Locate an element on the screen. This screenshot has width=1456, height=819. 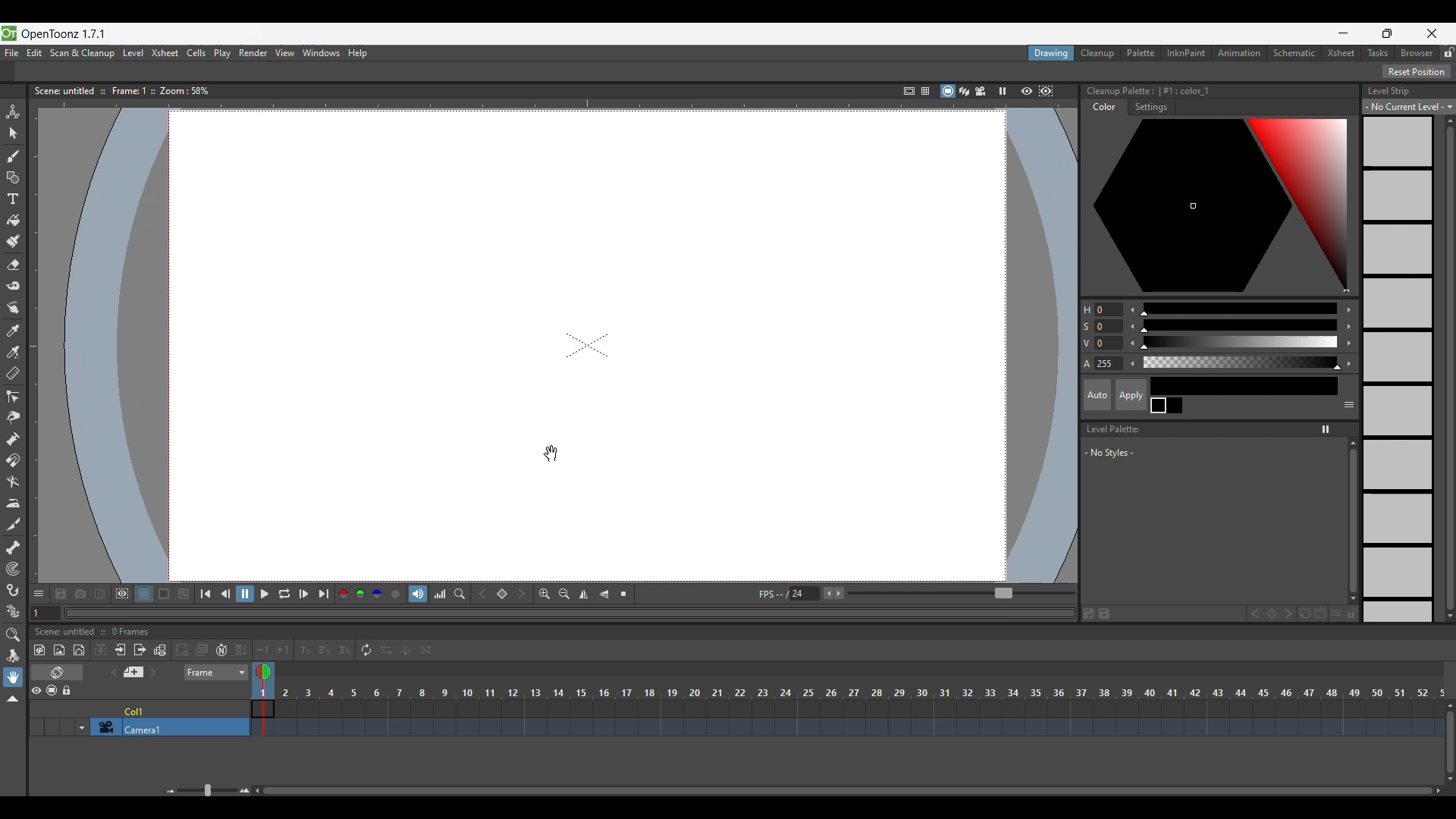
Add new memo is located at coordinates (133, 672).